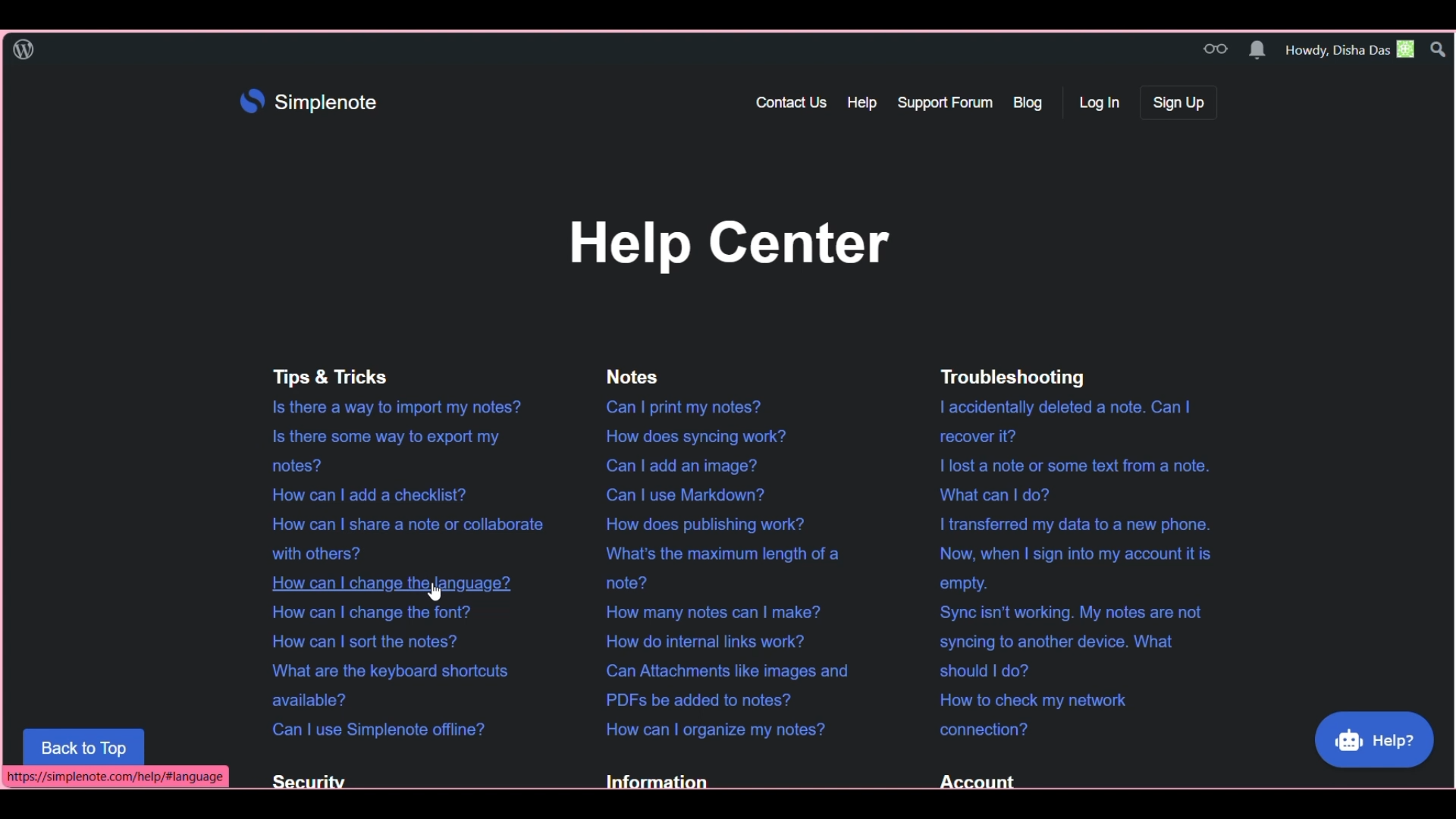  What do you see at coordinates (397, 538) in the screenshot?
I see `How can | share a note or collaborate with others?` at bounding box center [397, 538].